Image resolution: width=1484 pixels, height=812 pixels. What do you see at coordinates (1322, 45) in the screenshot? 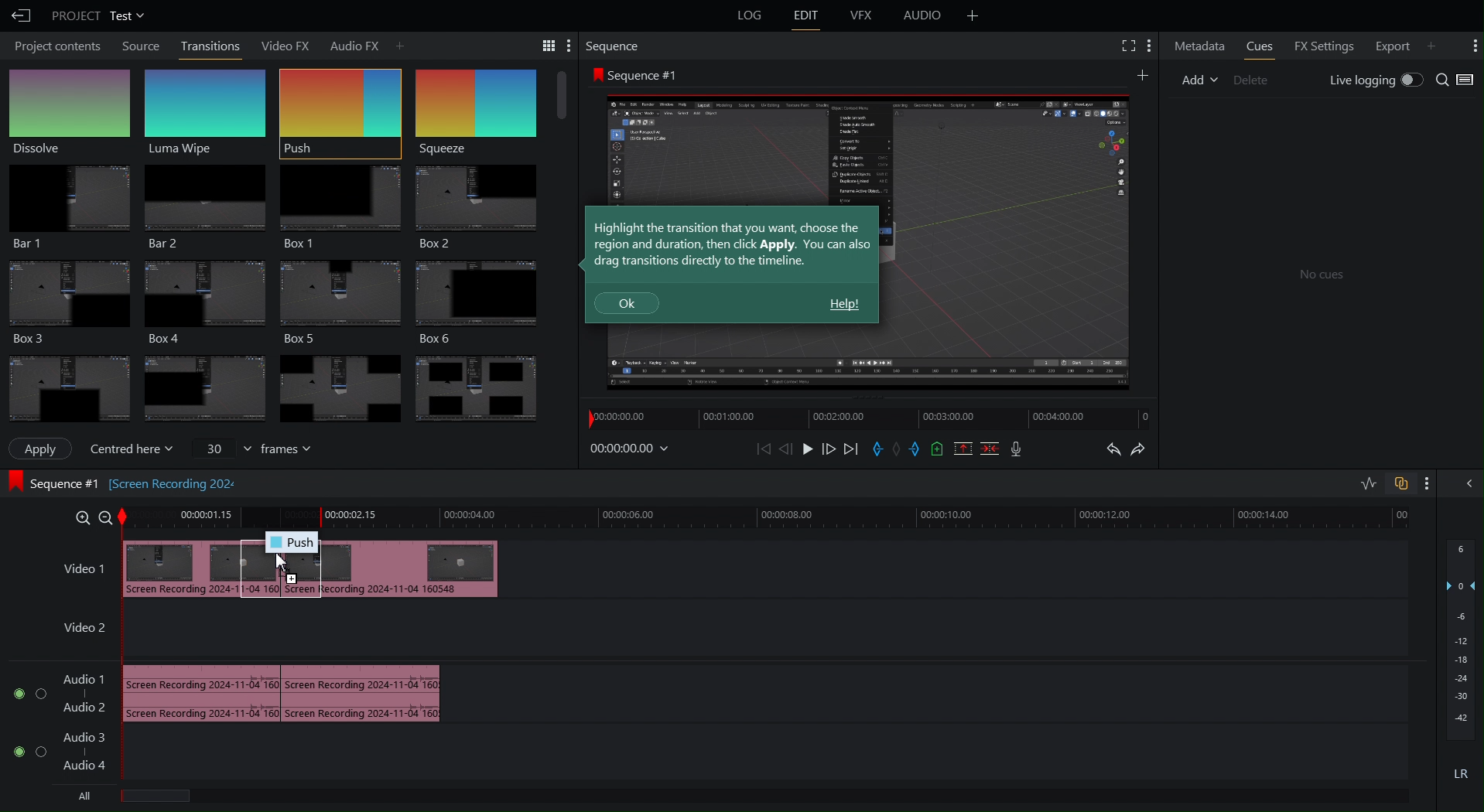
I see `FX Settings` at bounding box center [1322, 45].